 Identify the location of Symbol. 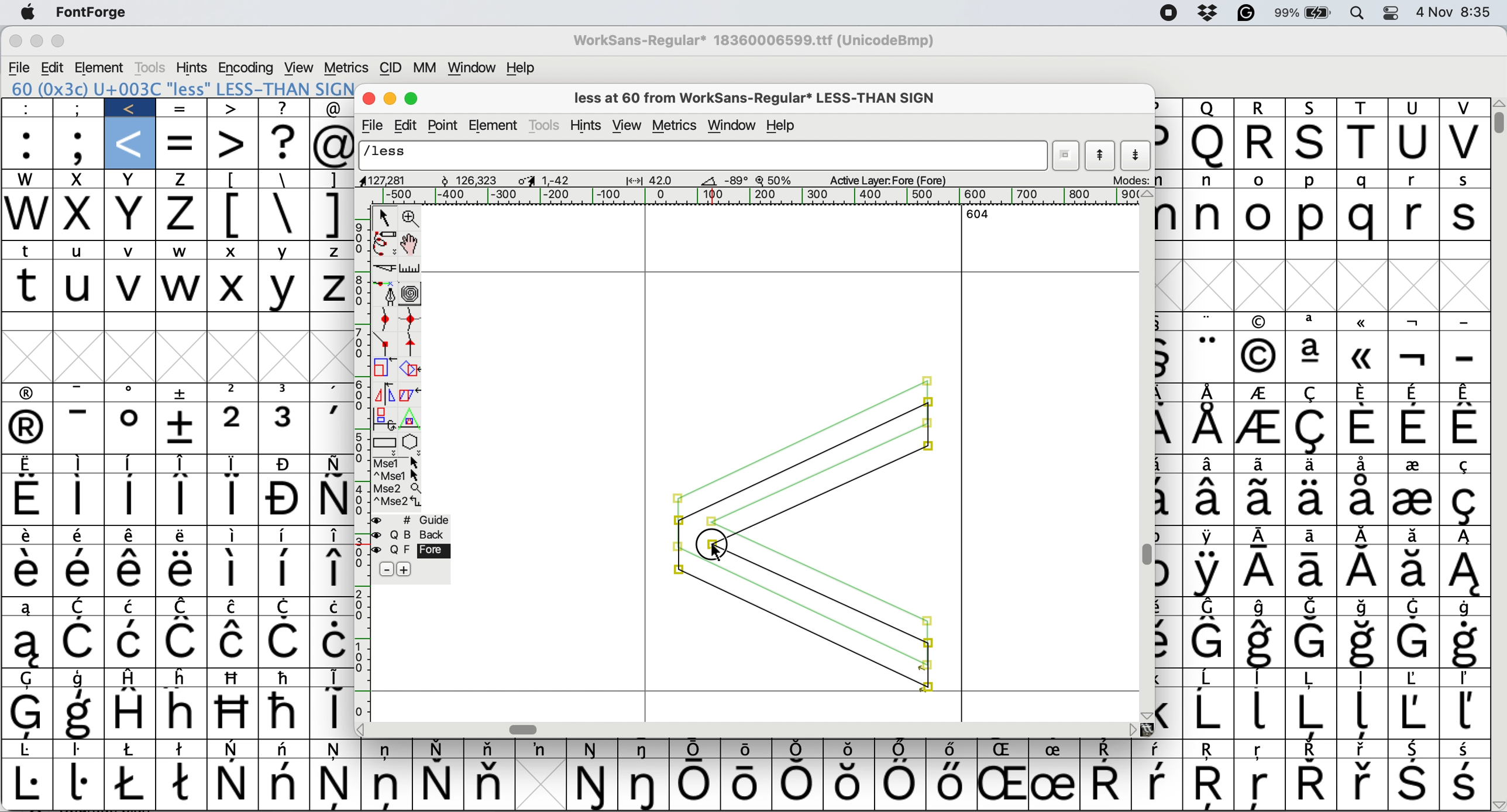
(1464, 713).